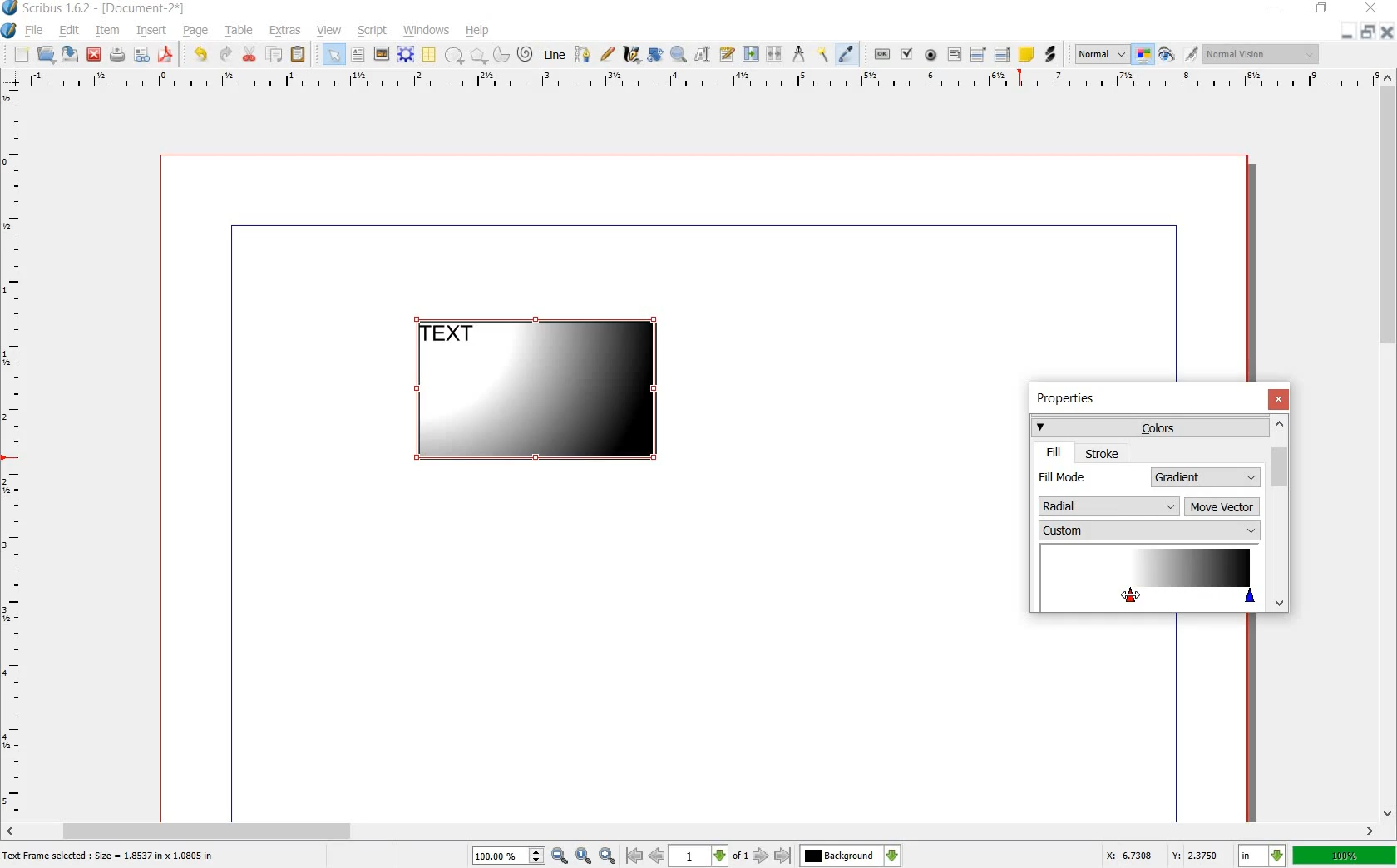 Image resolution: width=1397 pixels, height=868 pixels. I want to click on system logo, so click(8, 31).